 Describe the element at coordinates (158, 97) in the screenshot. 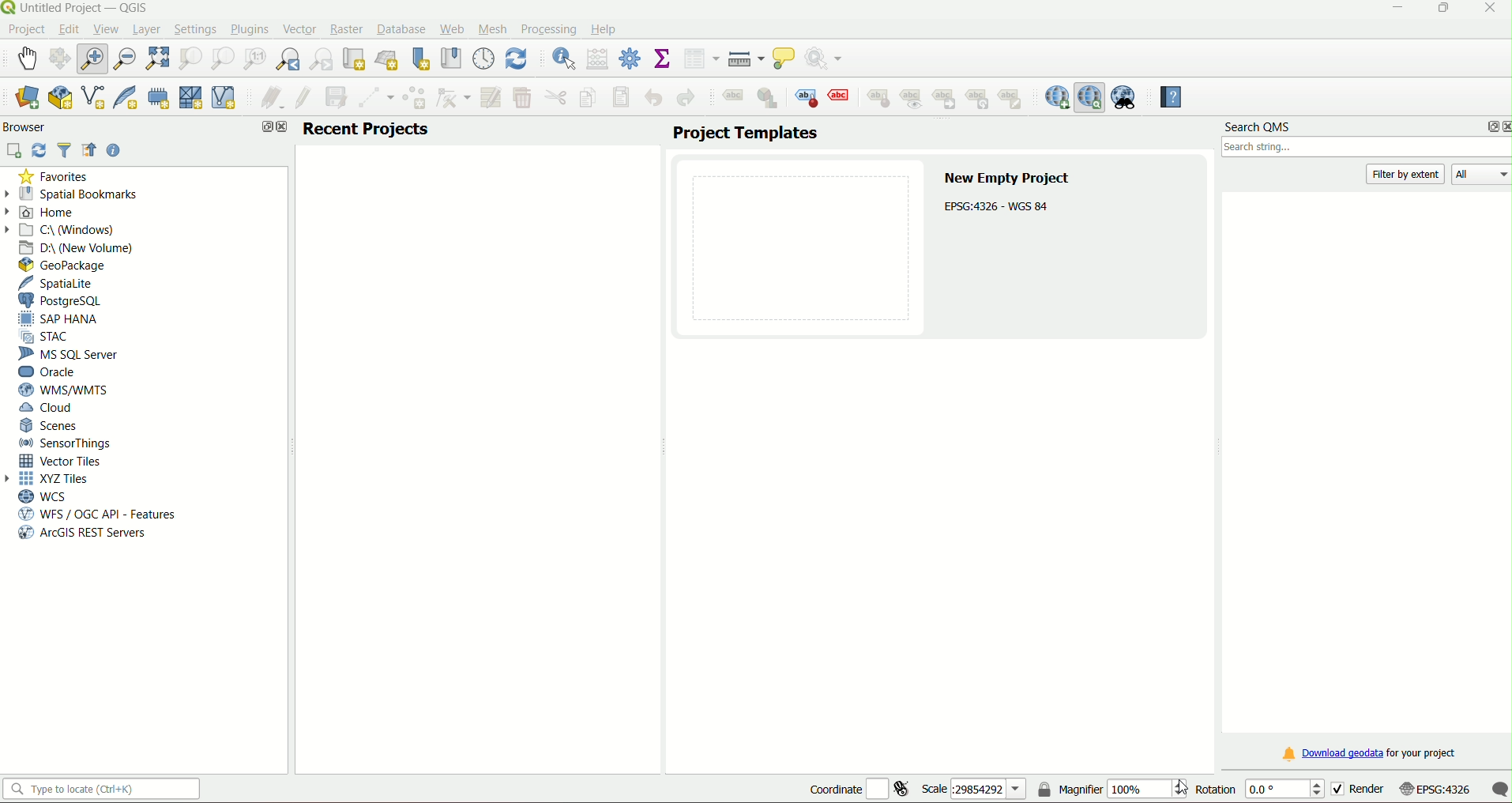

I see `new temporary scratch layer` at that location.